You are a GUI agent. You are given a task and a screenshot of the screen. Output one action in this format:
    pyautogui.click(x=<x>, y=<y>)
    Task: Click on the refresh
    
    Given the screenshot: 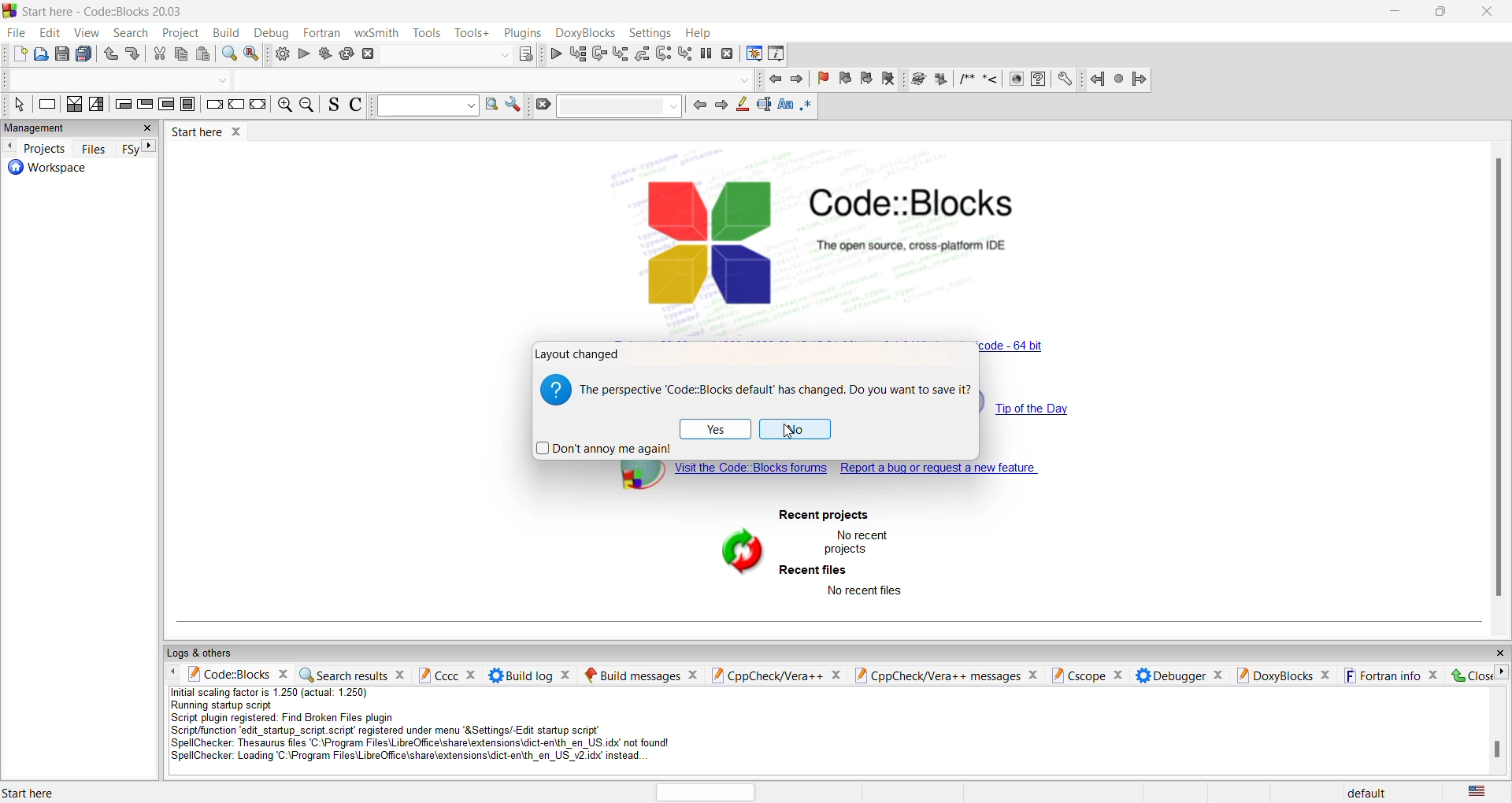 What is the action you would take?
    pyautogui.click(x=738, y=554)
    